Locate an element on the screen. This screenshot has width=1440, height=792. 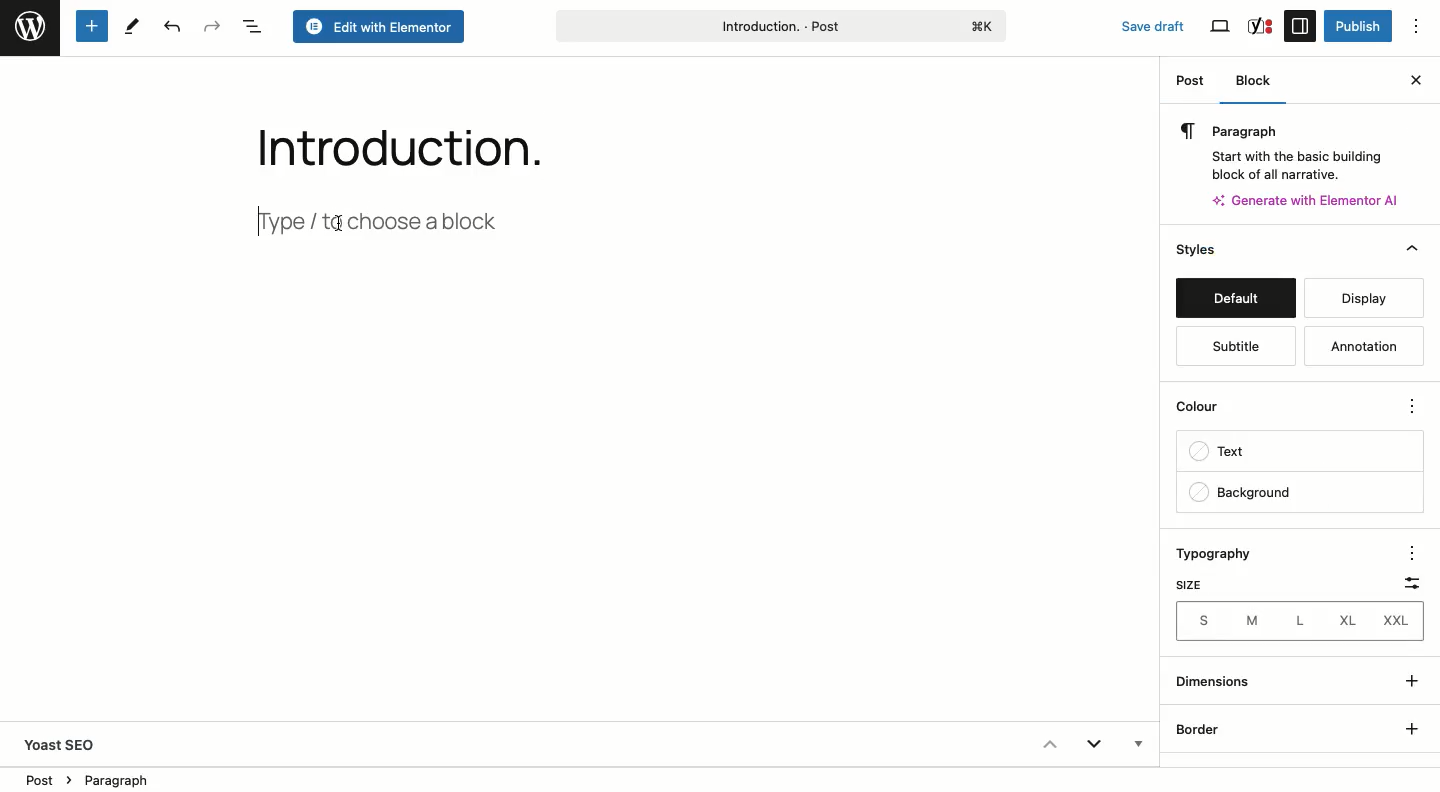
Save draft is located at coordinates (1142, 22).